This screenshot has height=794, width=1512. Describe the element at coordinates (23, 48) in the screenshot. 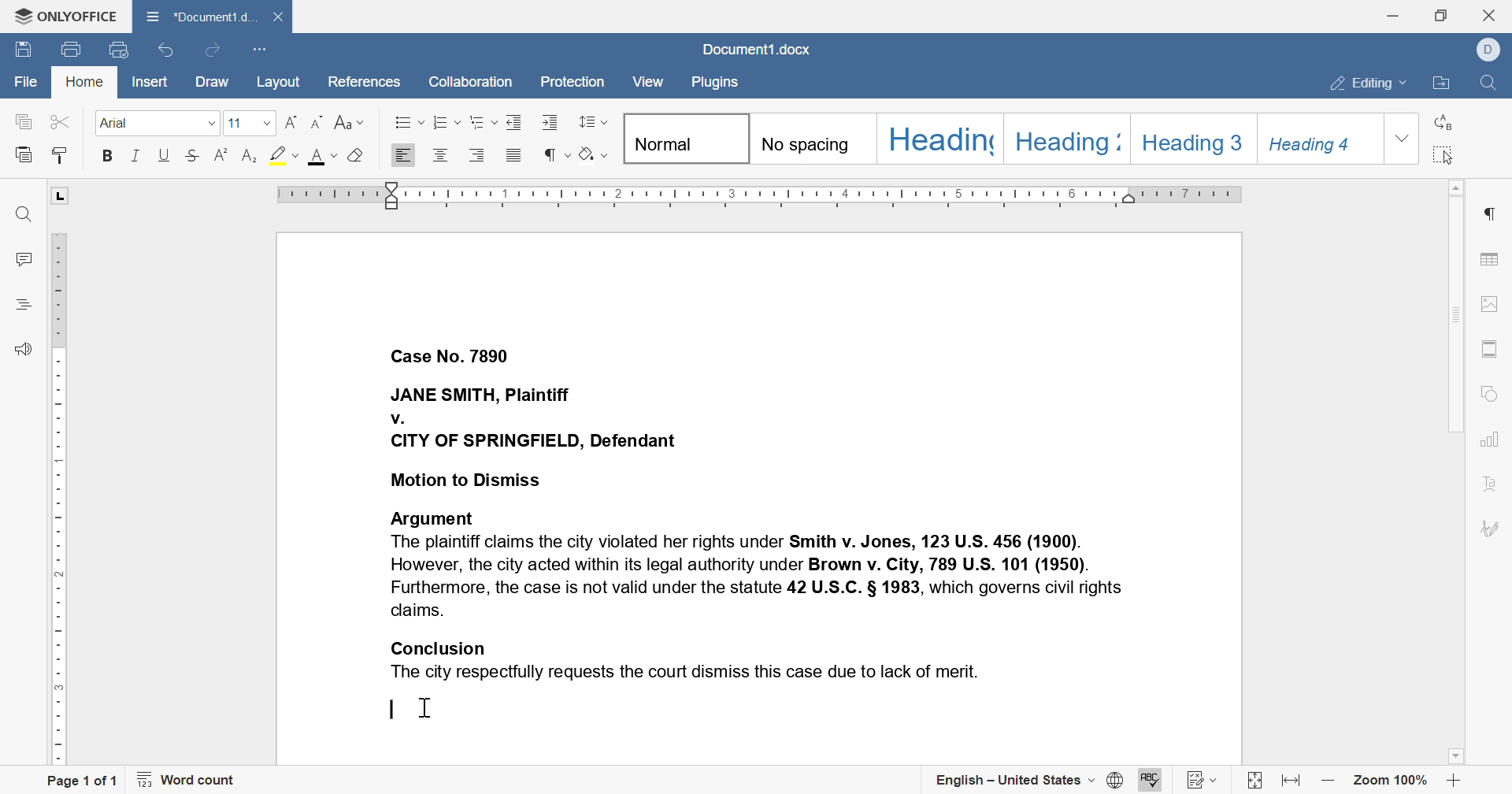

I see `save` at that location.